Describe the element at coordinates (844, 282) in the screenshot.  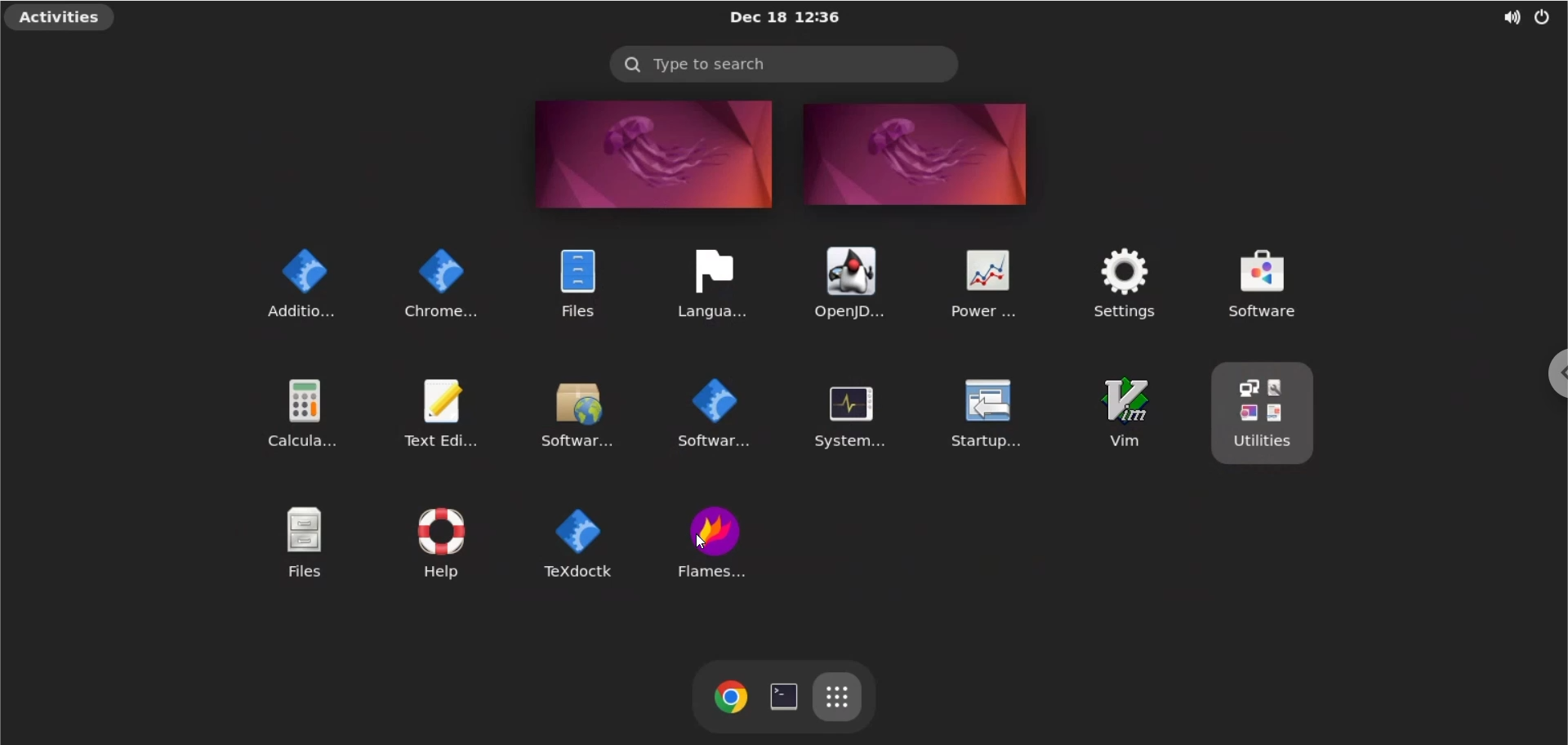
I see `openJD` at that location.